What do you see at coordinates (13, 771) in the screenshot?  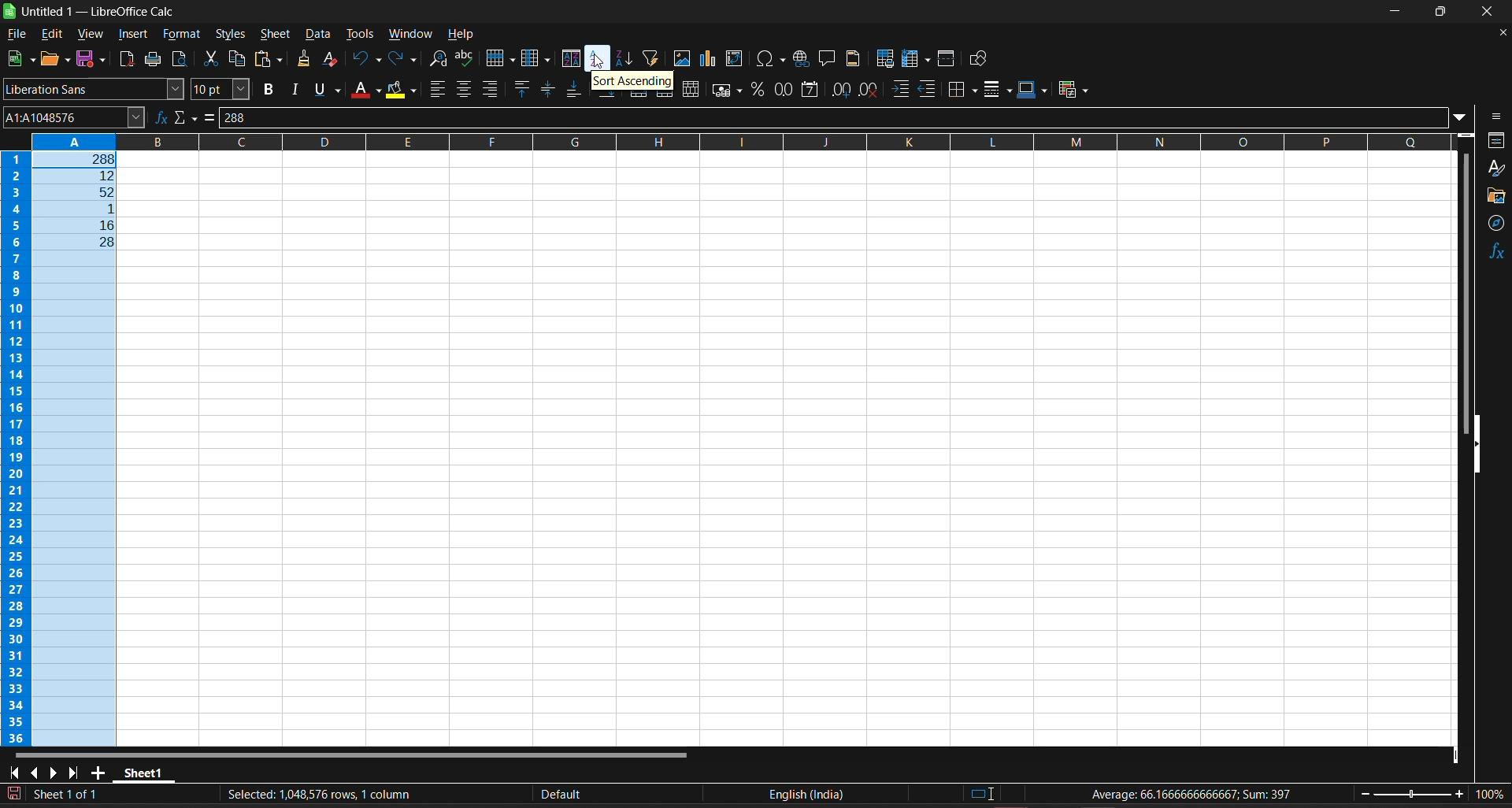 I see `scroll to first sheet` at bounding box center [13, 771].